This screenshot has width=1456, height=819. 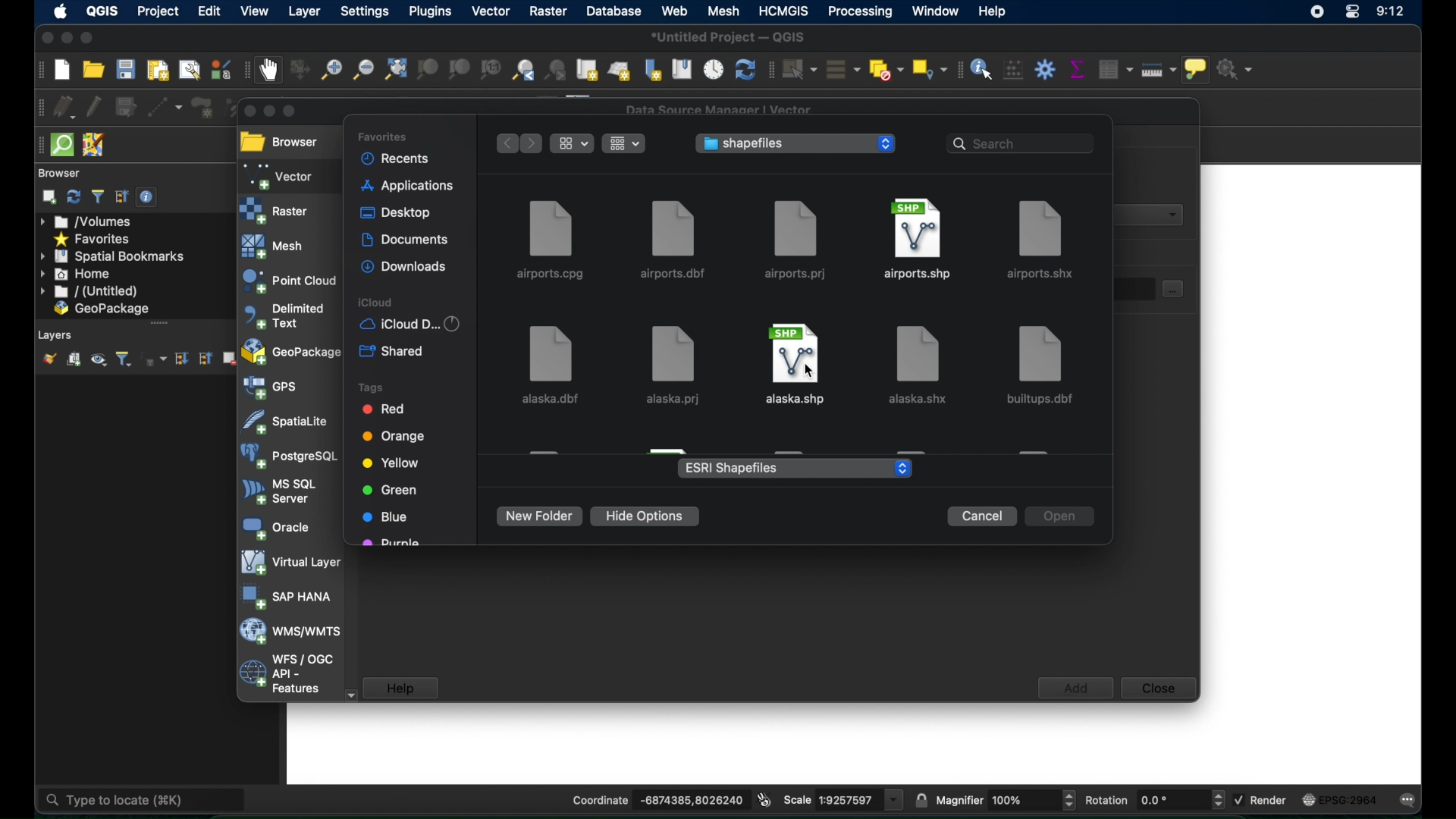 I want to click on filter legend, so click(x=126, y=359).